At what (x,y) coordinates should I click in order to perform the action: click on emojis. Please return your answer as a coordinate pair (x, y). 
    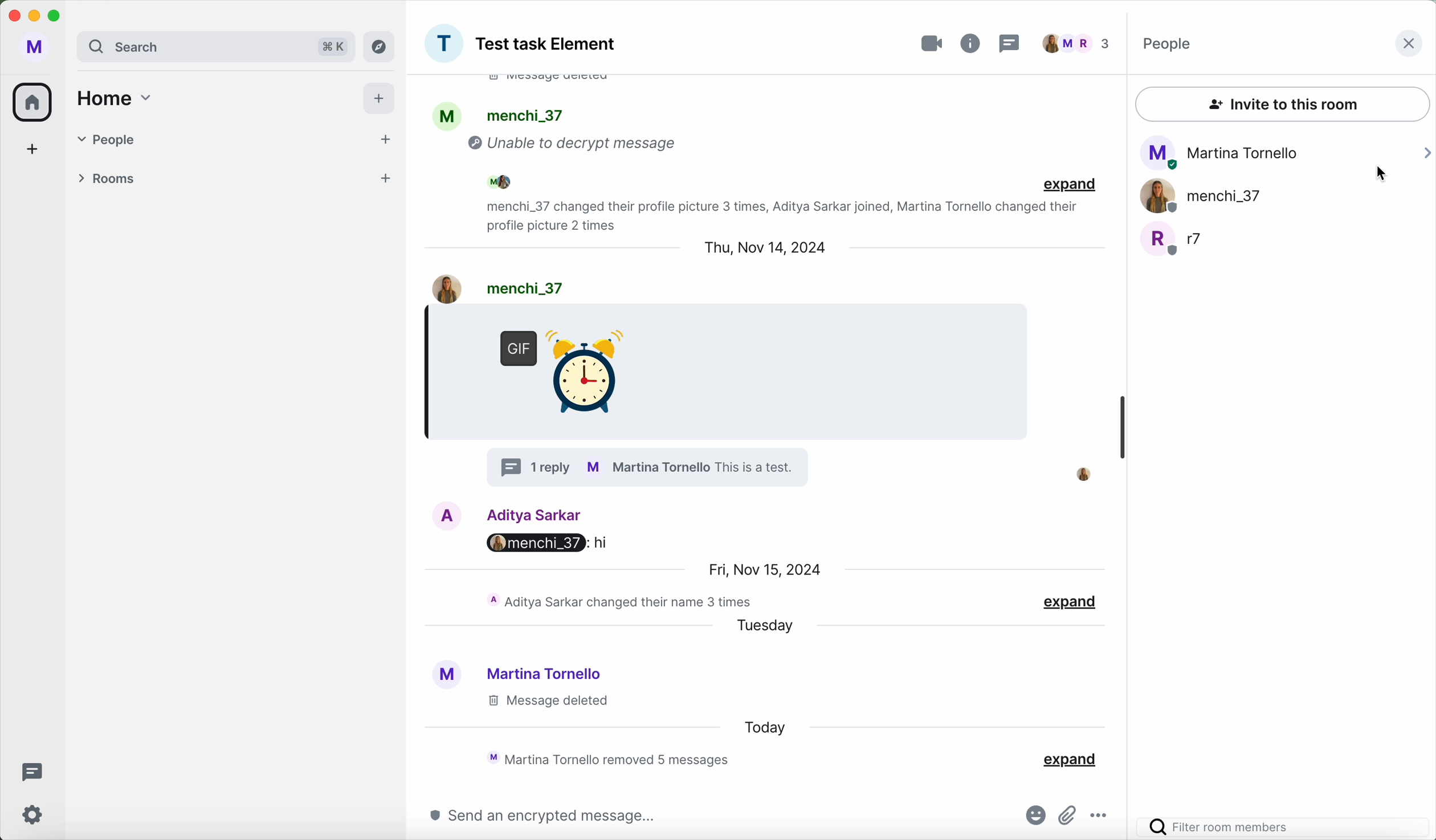
    Looking at the image, I should click on (1031, 817).